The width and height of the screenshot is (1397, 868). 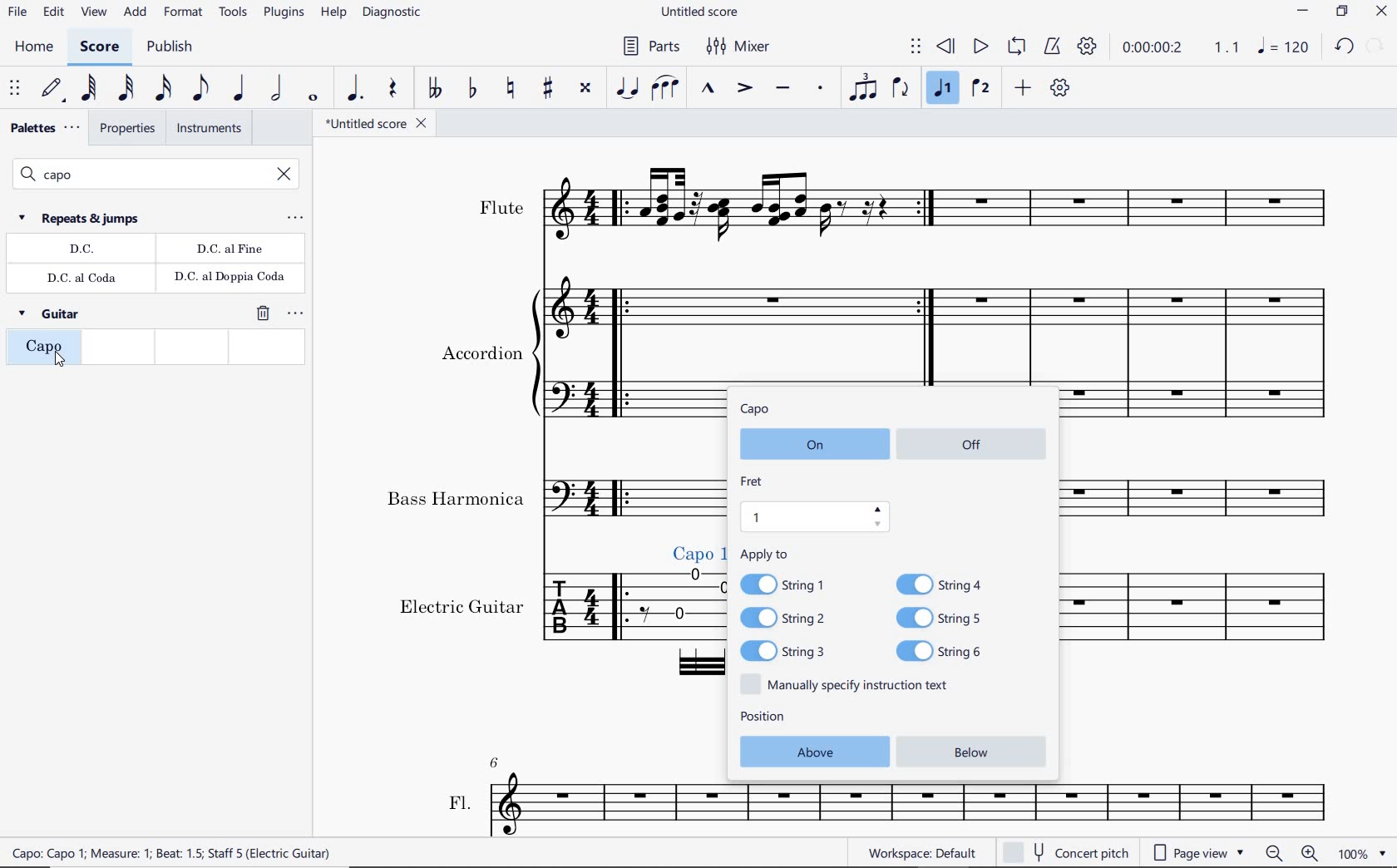 What do you see at coordinates (1016, 47) in the screenshot?
I see `loop playback` at bounding box center [1016, 47].